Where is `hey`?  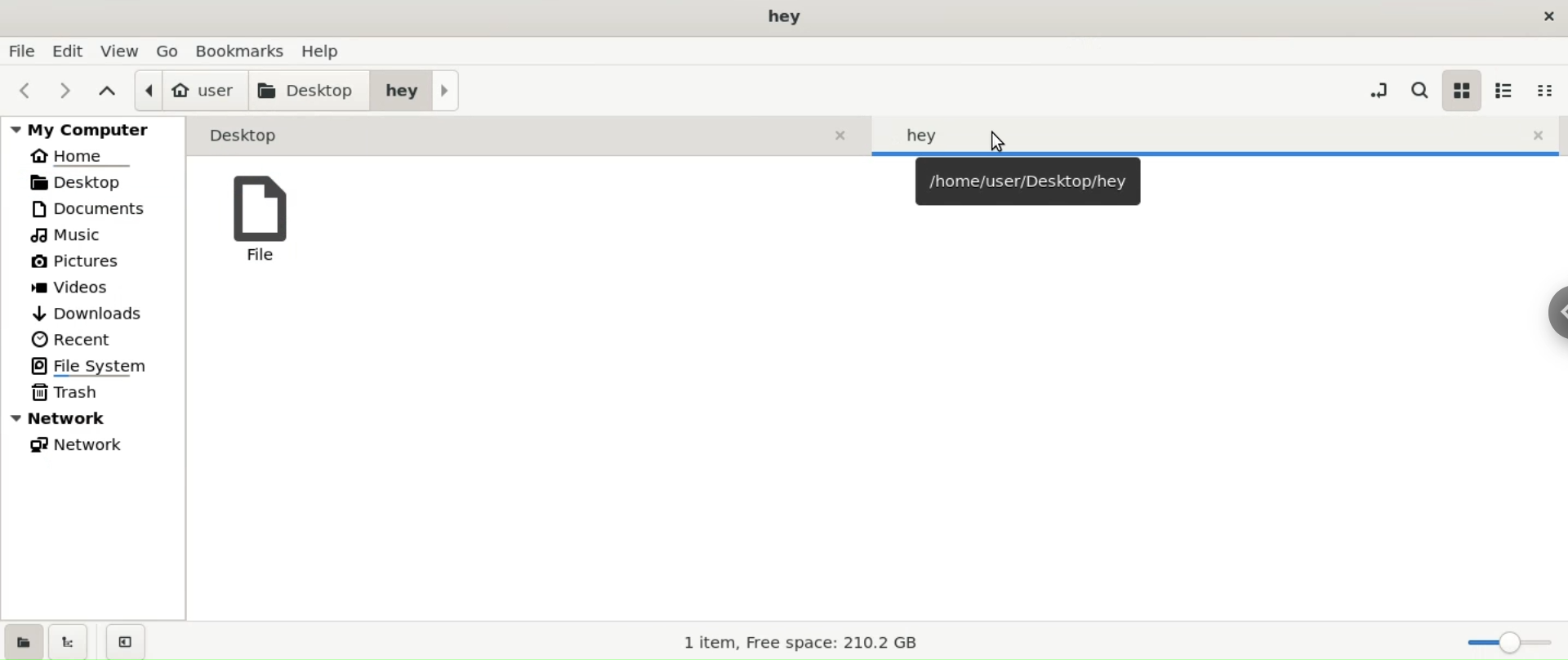 hey is located at coordinates (417, 89).